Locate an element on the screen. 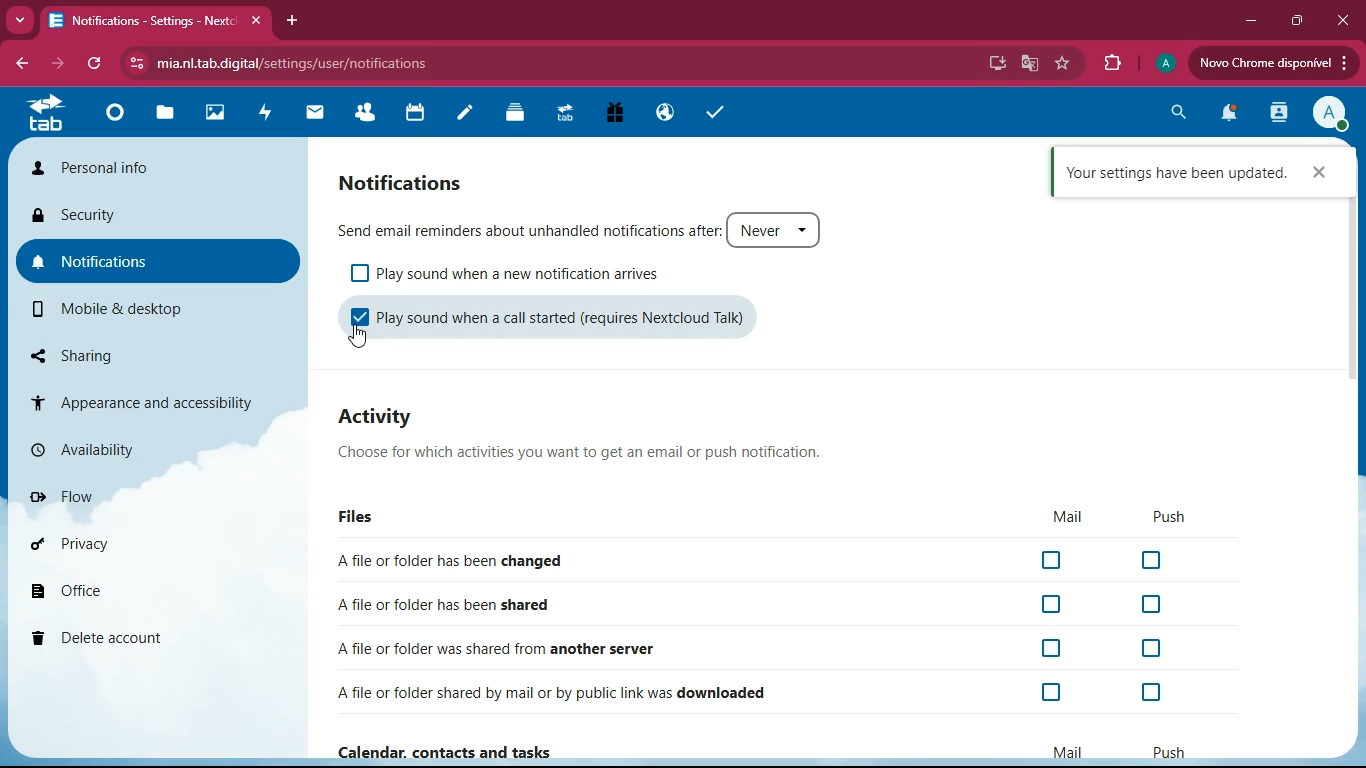  confirmation is located at coordinates (1187, 171).